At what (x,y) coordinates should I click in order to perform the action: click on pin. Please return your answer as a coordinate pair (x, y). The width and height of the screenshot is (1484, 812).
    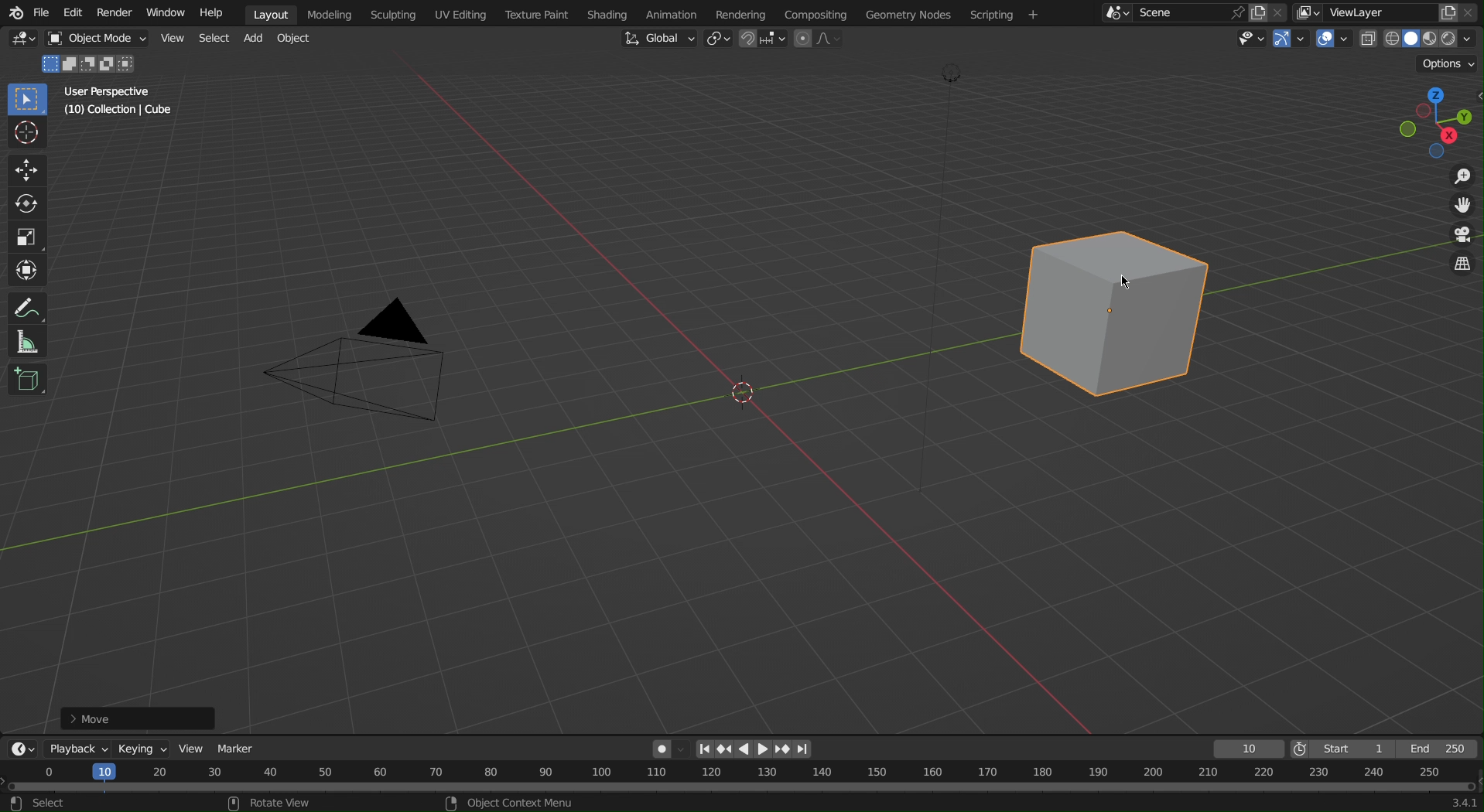
    Looking at the image, I should click on (1234, 12).